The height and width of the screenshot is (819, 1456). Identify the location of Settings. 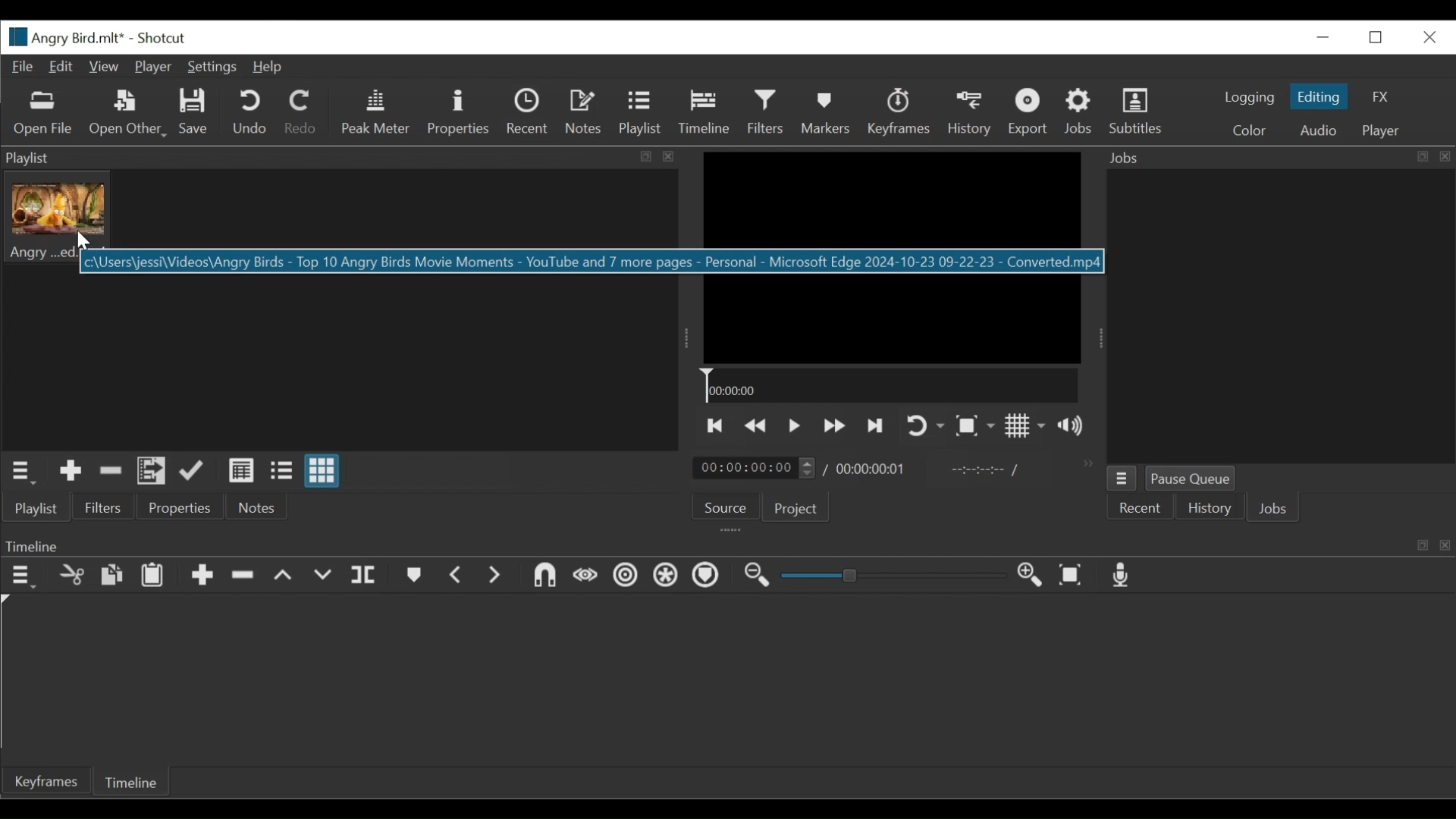
(211, 67).